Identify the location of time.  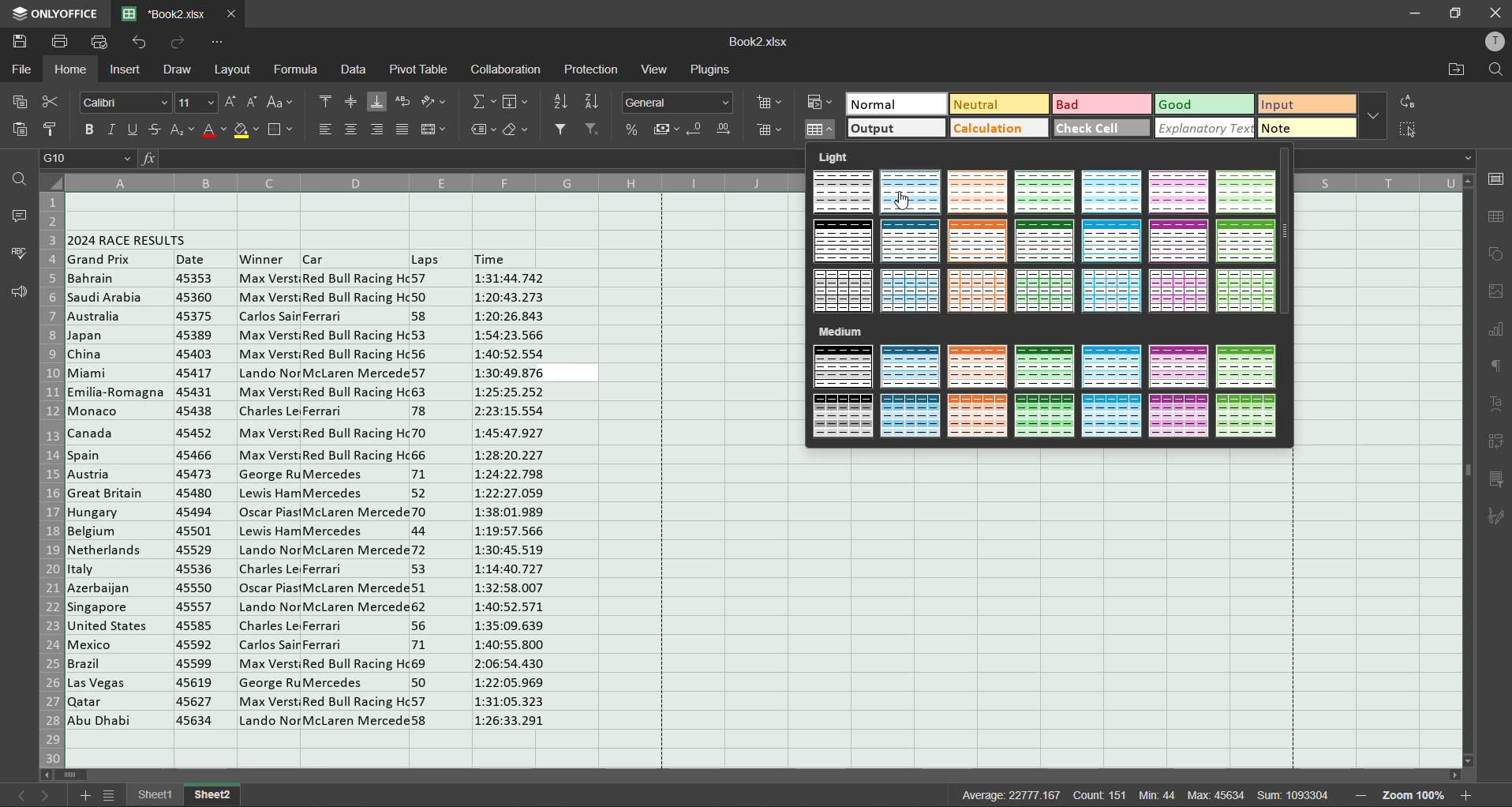
(494, 259).